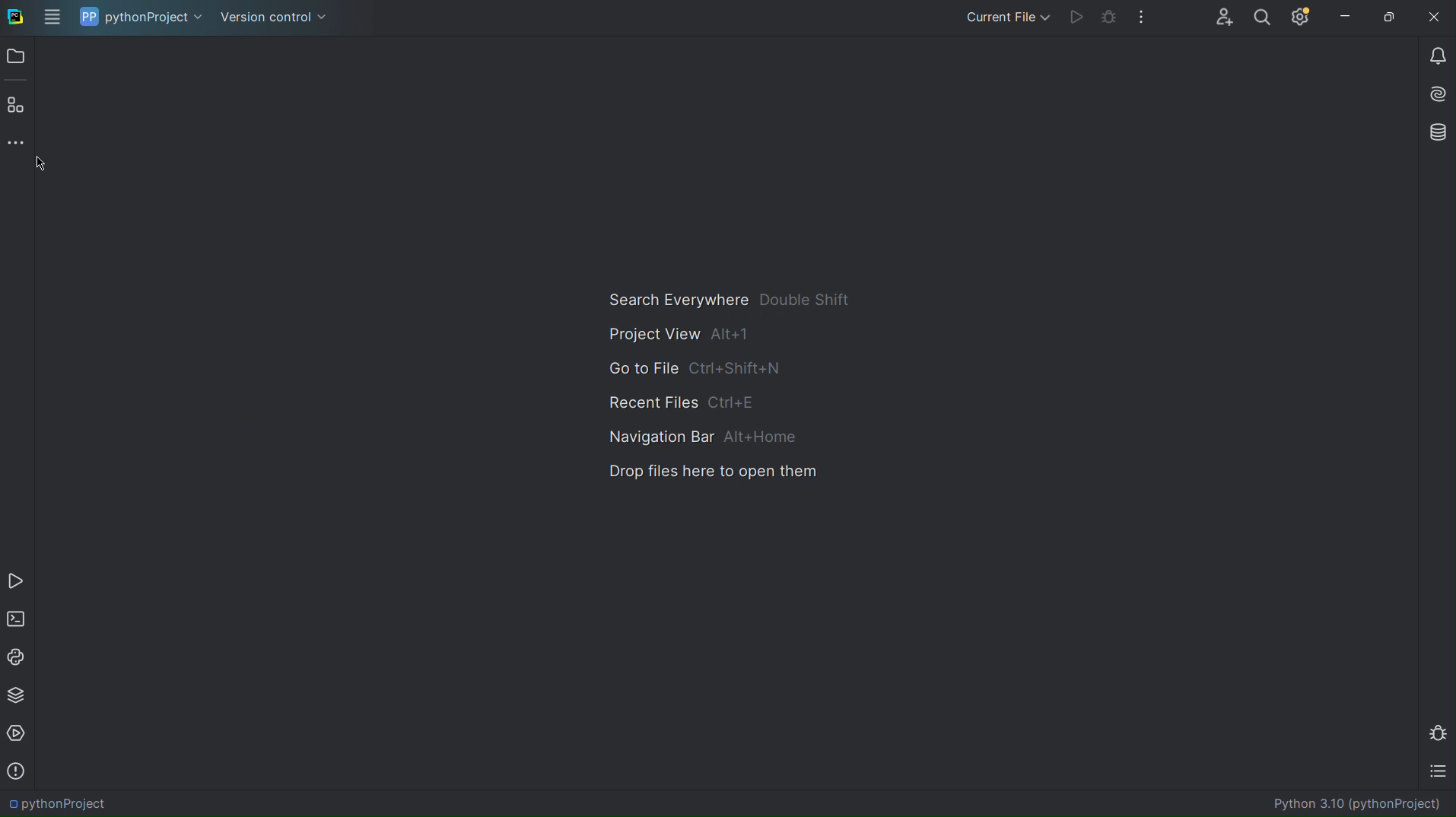 This screenshot has height=817, width=1456. I want to click on Python Packages, so click(17, 693).